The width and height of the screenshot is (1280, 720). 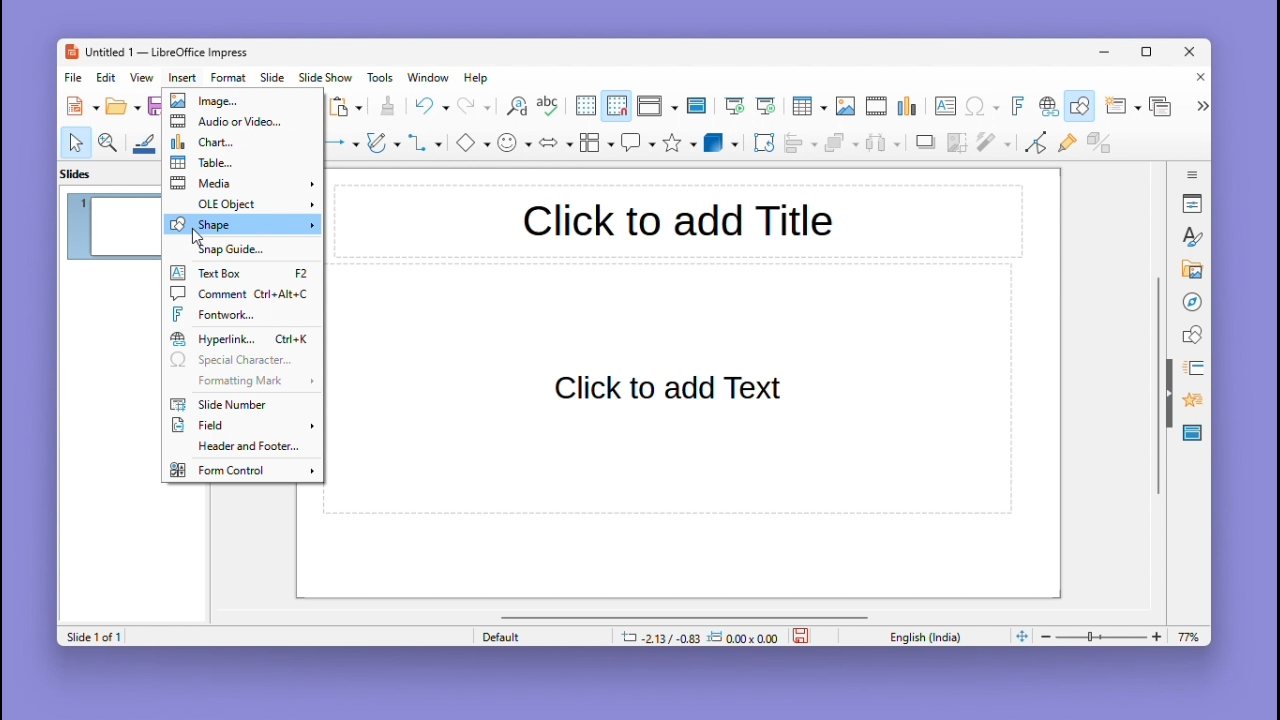 What do you see at coordinates (1200, 106) in the screenshot?
I see `expand` at bounding box center [1200, 106].